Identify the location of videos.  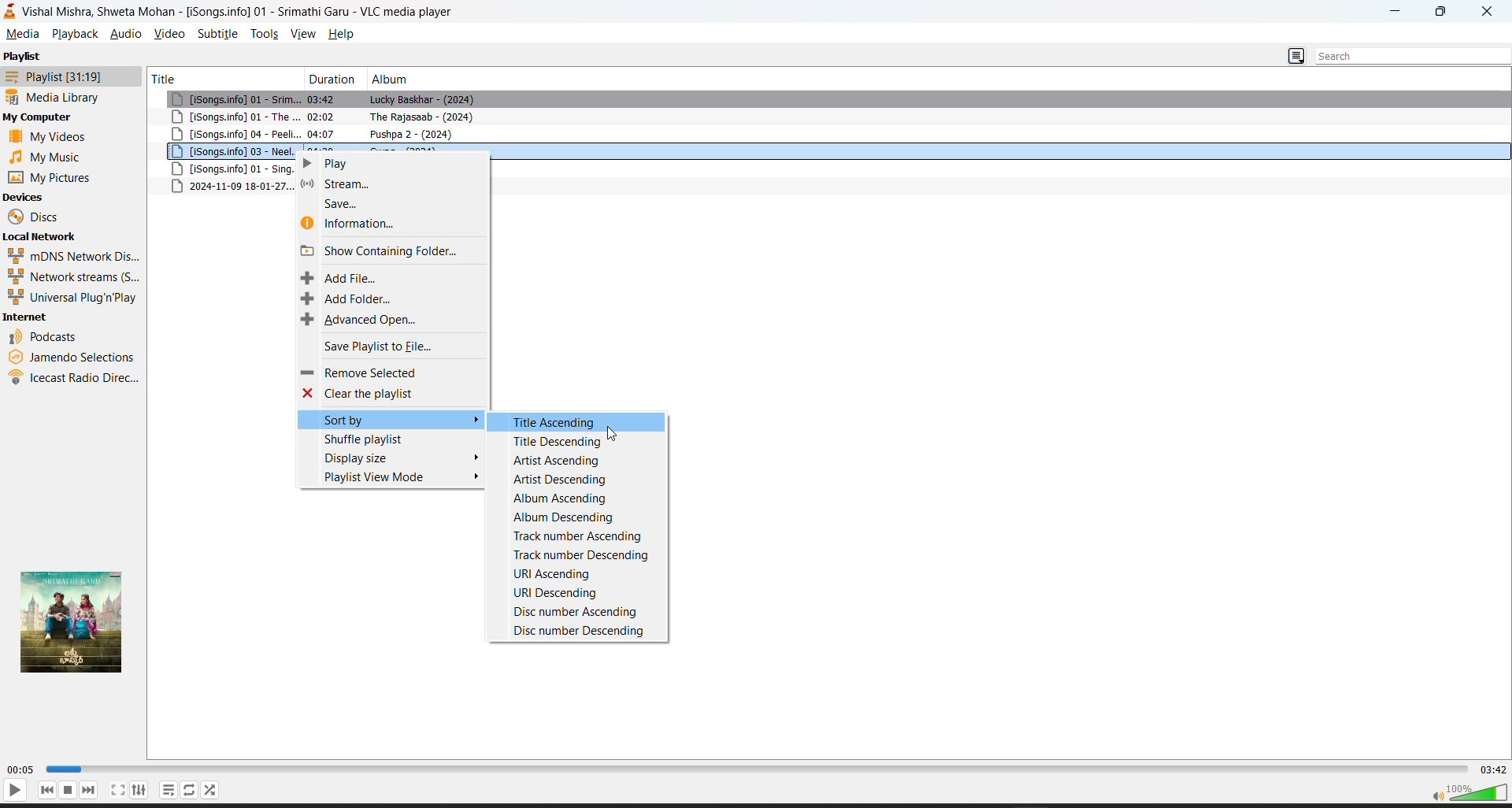
(48, 137).